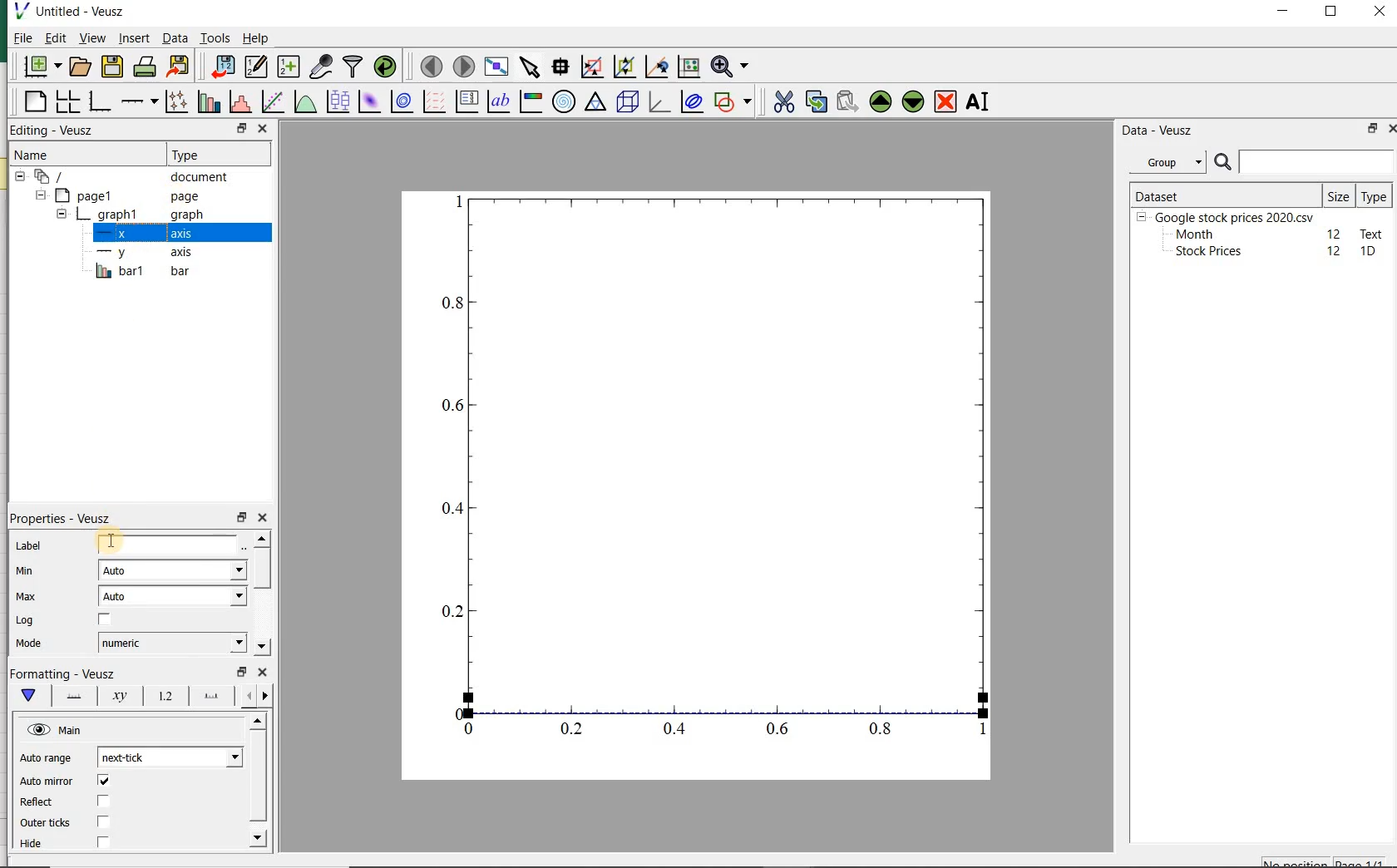  What do you see at coordinates (255, 697) in the screenshot?
I see `minor ticks` at bounding box center [255, 697].